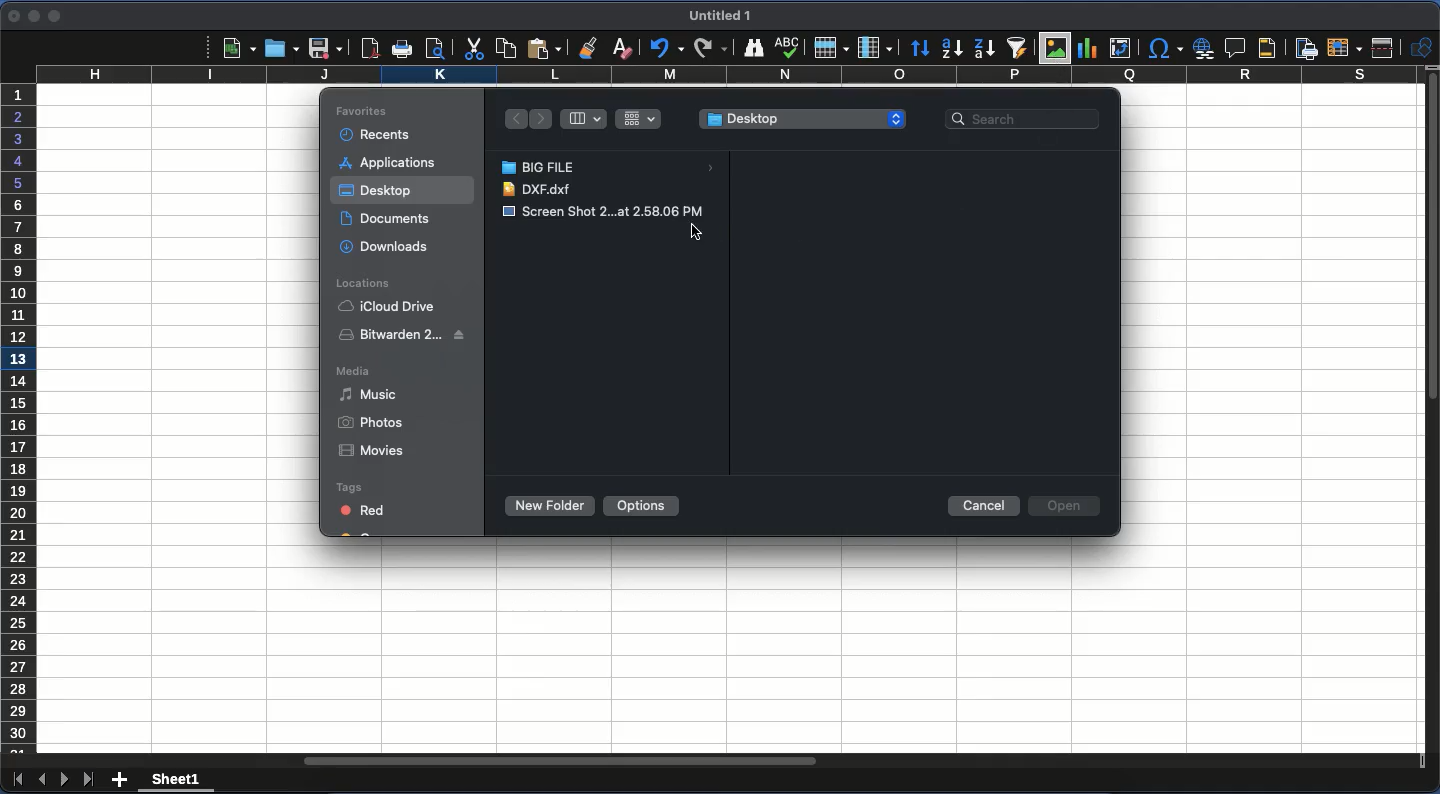 This screenshot has height=794, width=1440. I want to click on column, so click(875, 48).